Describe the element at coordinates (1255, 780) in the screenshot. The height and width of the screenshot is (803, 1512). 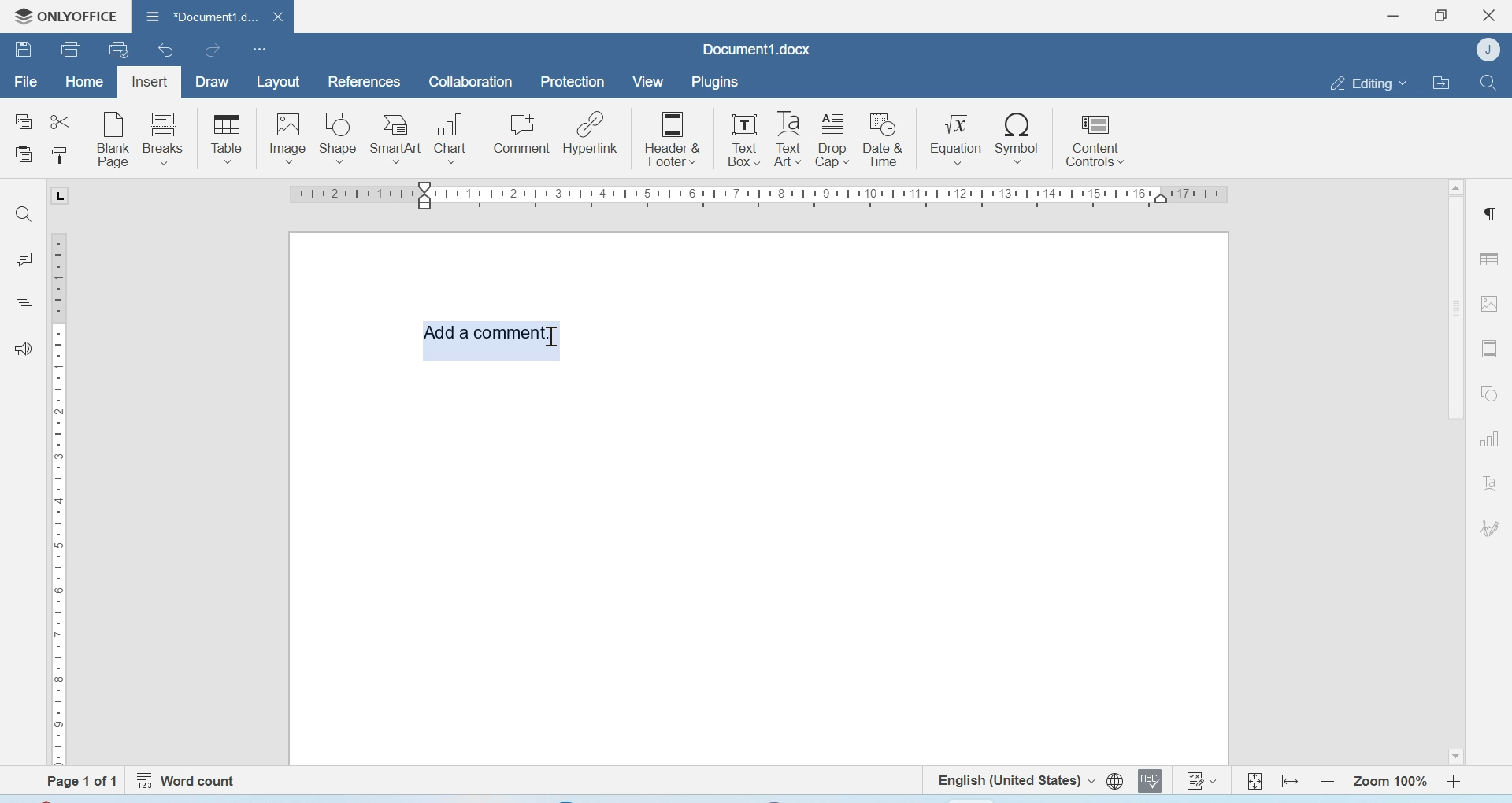
I see `Fit to page` at that location.